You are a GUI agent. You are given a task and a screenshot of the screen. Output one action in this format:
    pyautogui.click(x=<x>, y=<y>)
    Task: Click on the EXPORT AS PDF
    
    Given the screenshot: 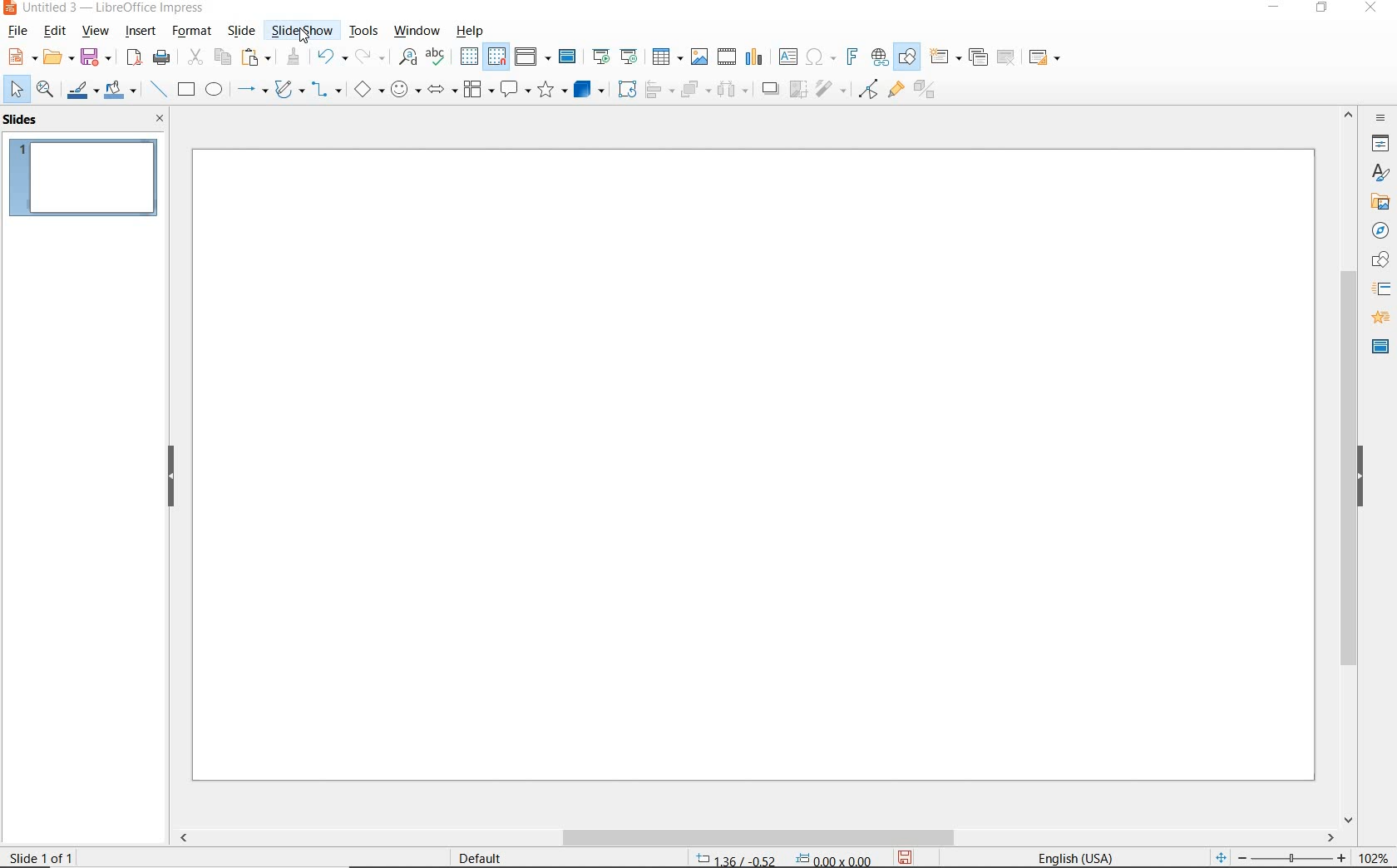 What is the action you would take?
    pyautogui.click(x=135, y=58)
    